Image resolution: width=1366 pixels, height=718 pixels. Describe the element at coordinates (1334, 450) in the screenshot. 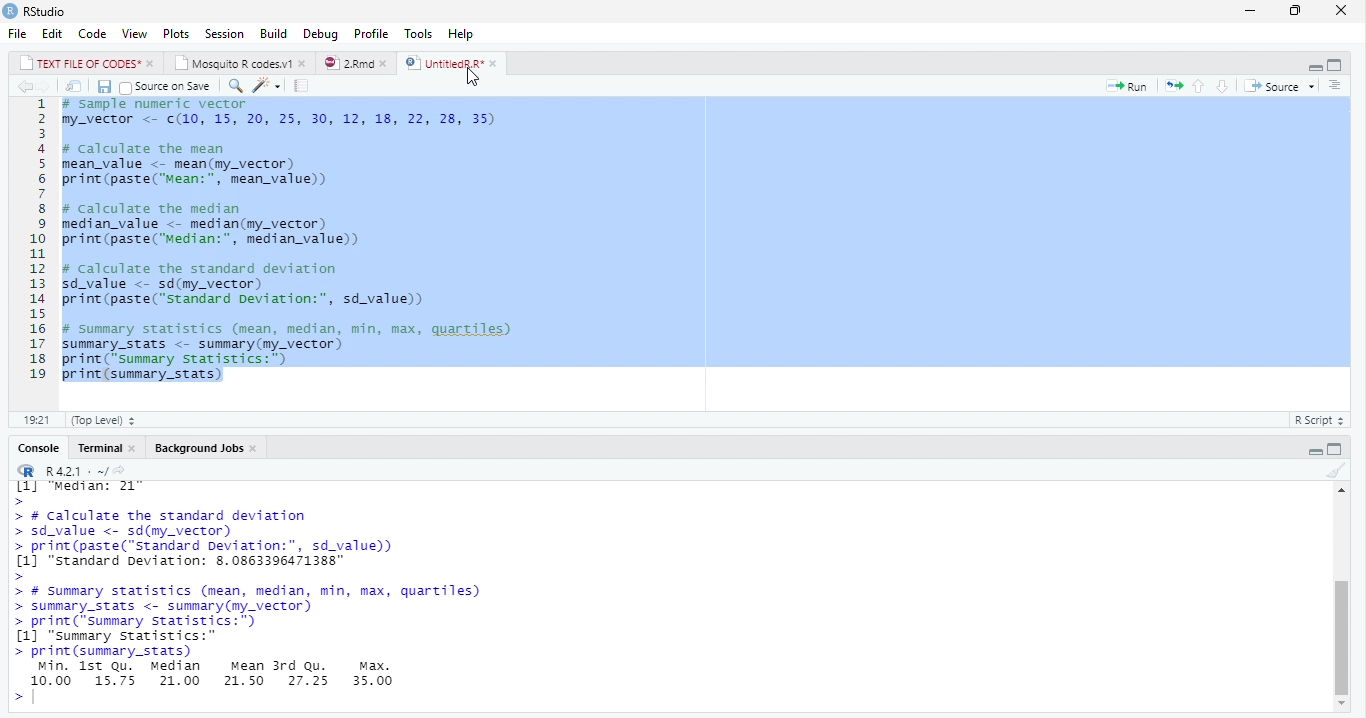

I see `maximize` at that location.